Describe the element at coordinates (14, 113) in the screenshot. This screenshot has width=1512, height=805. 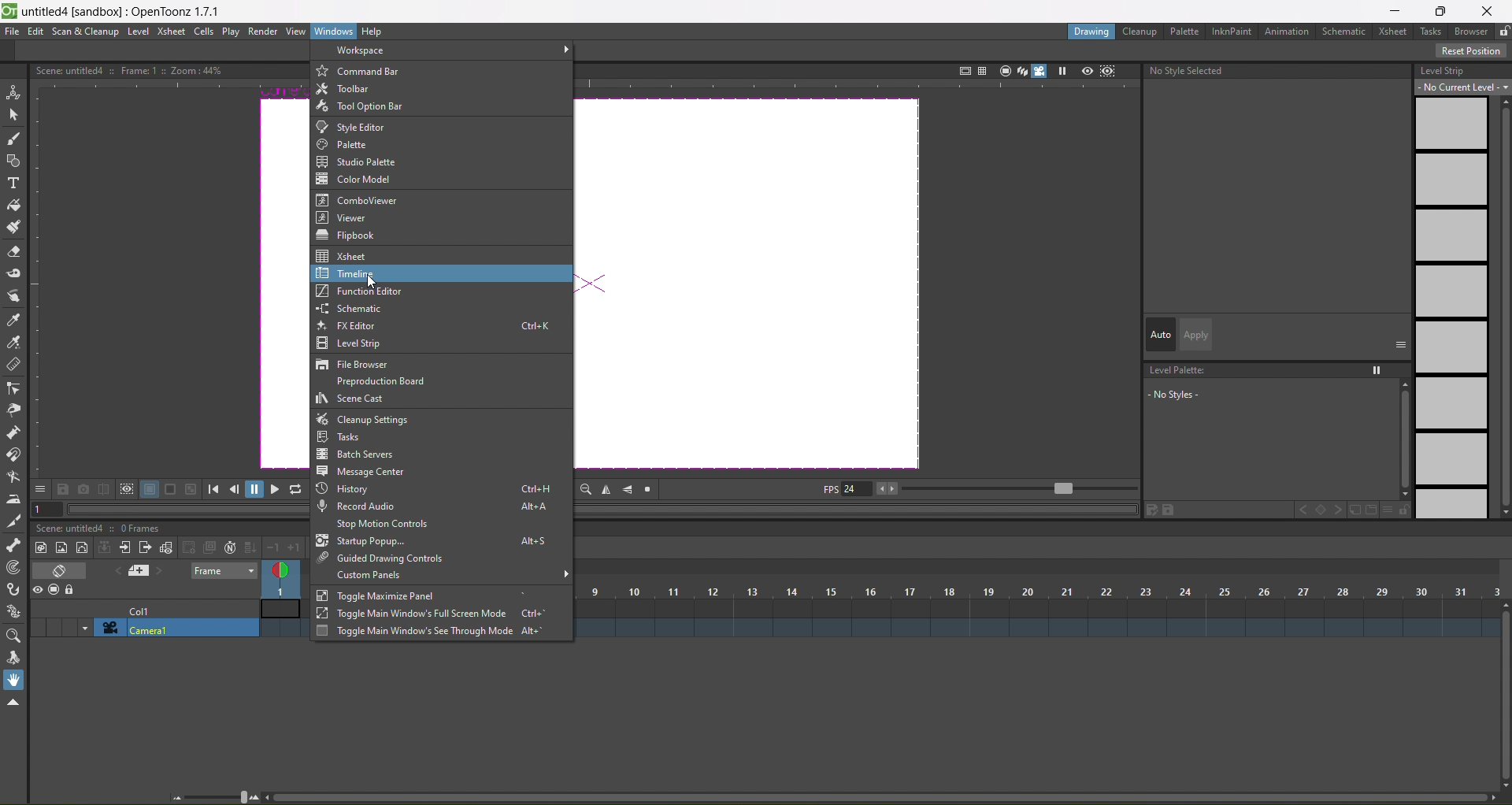
I see `selection tool` at that location.